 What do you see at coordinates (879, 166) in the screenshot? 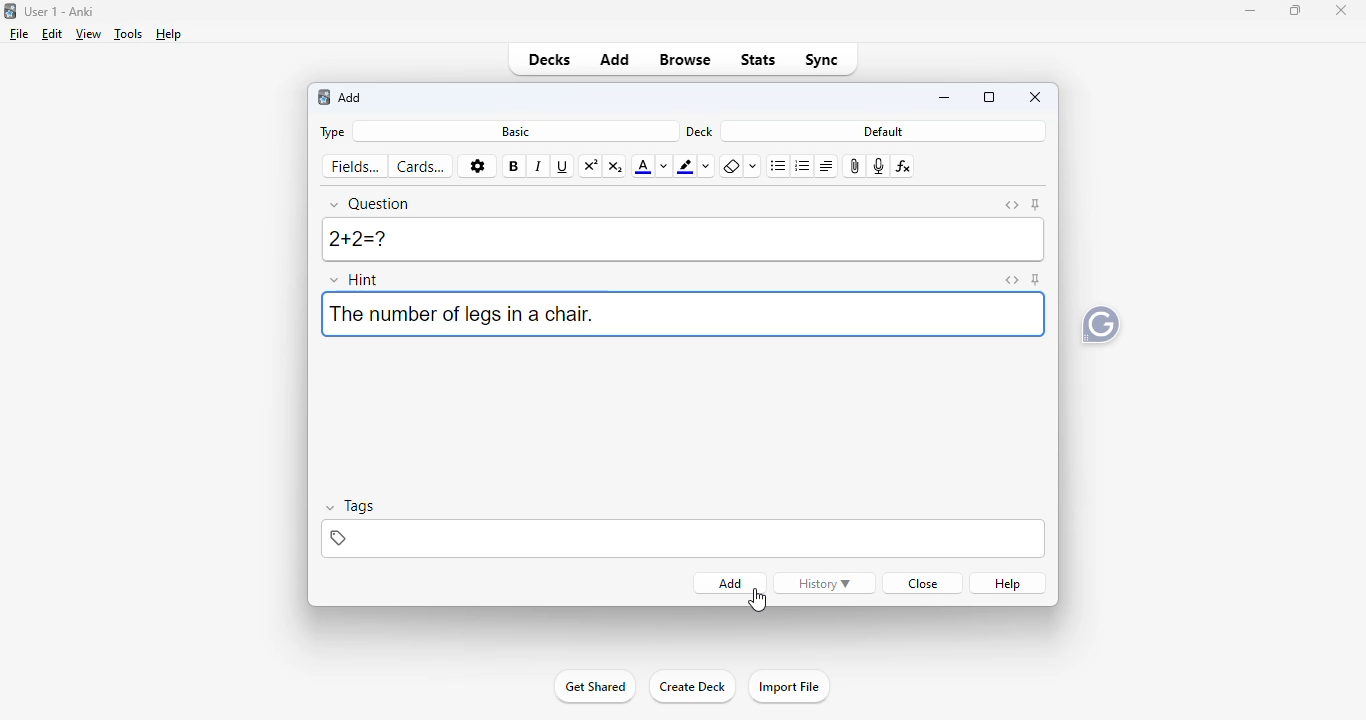
I see `record audio` at bounding box center [879, 166].